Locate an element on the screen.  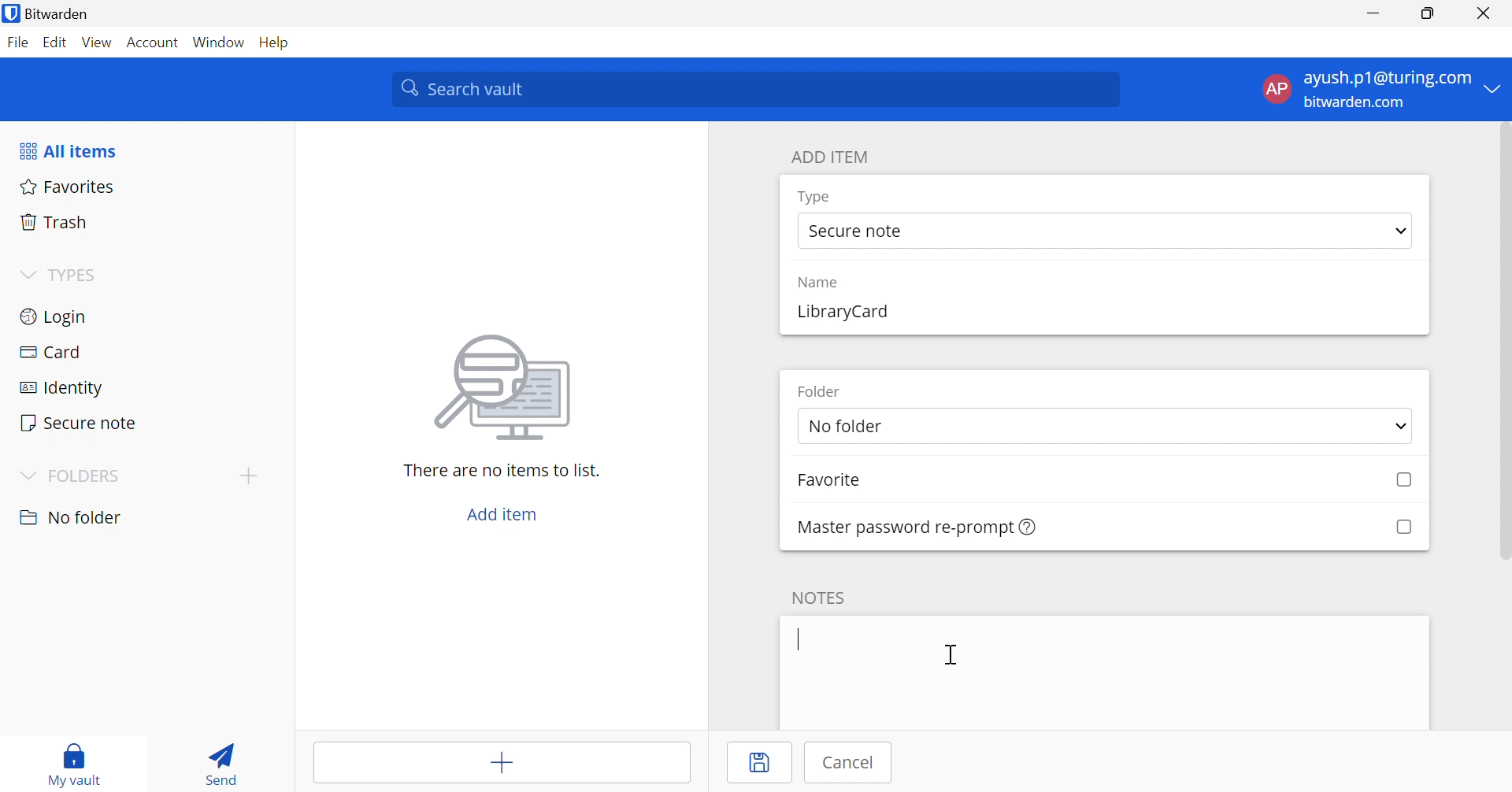
add name is located at coordinates (1102, 315).